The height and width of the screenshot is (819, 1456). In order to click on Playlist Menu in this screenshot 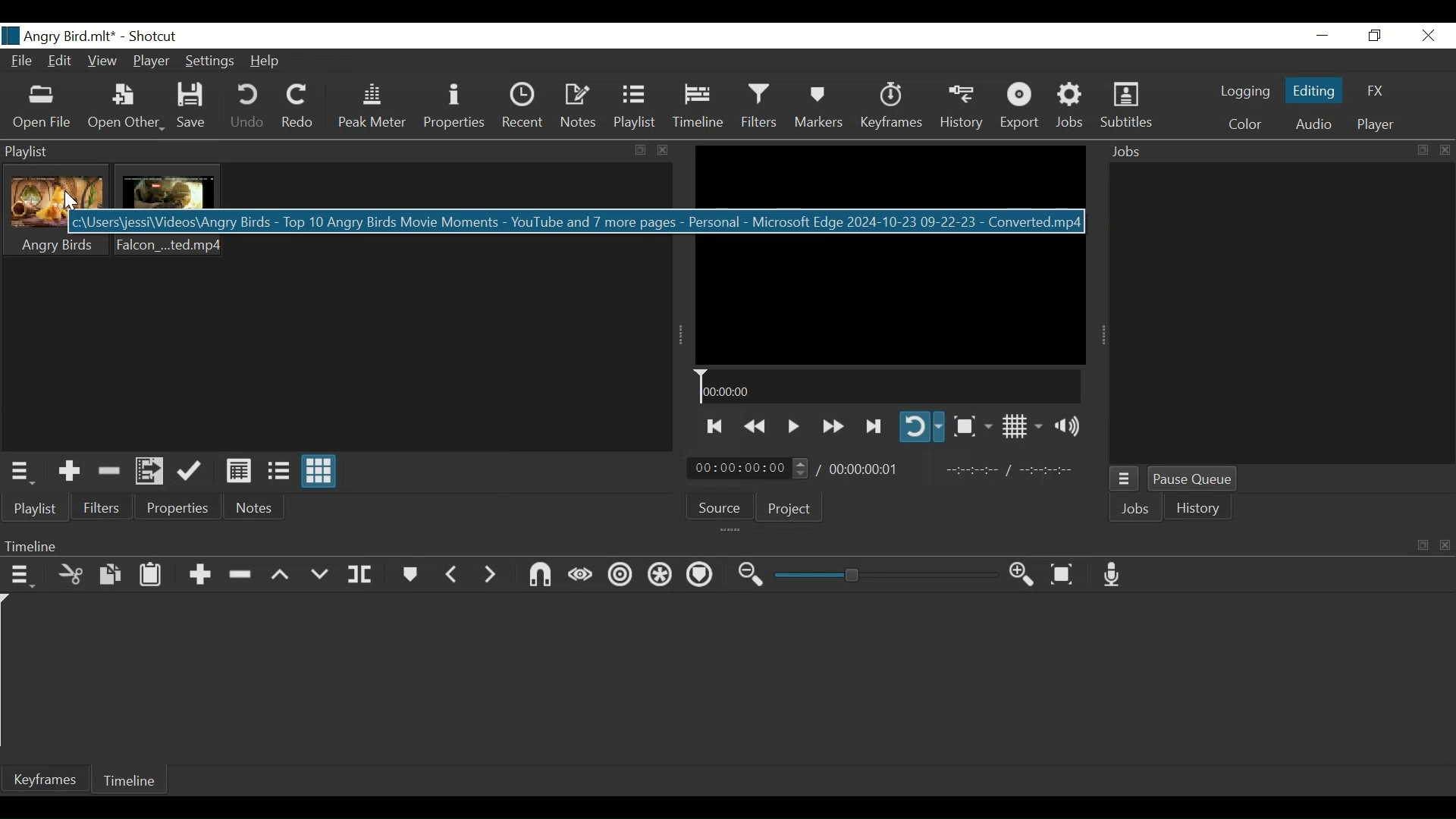, I will do `click(26, 472)`.